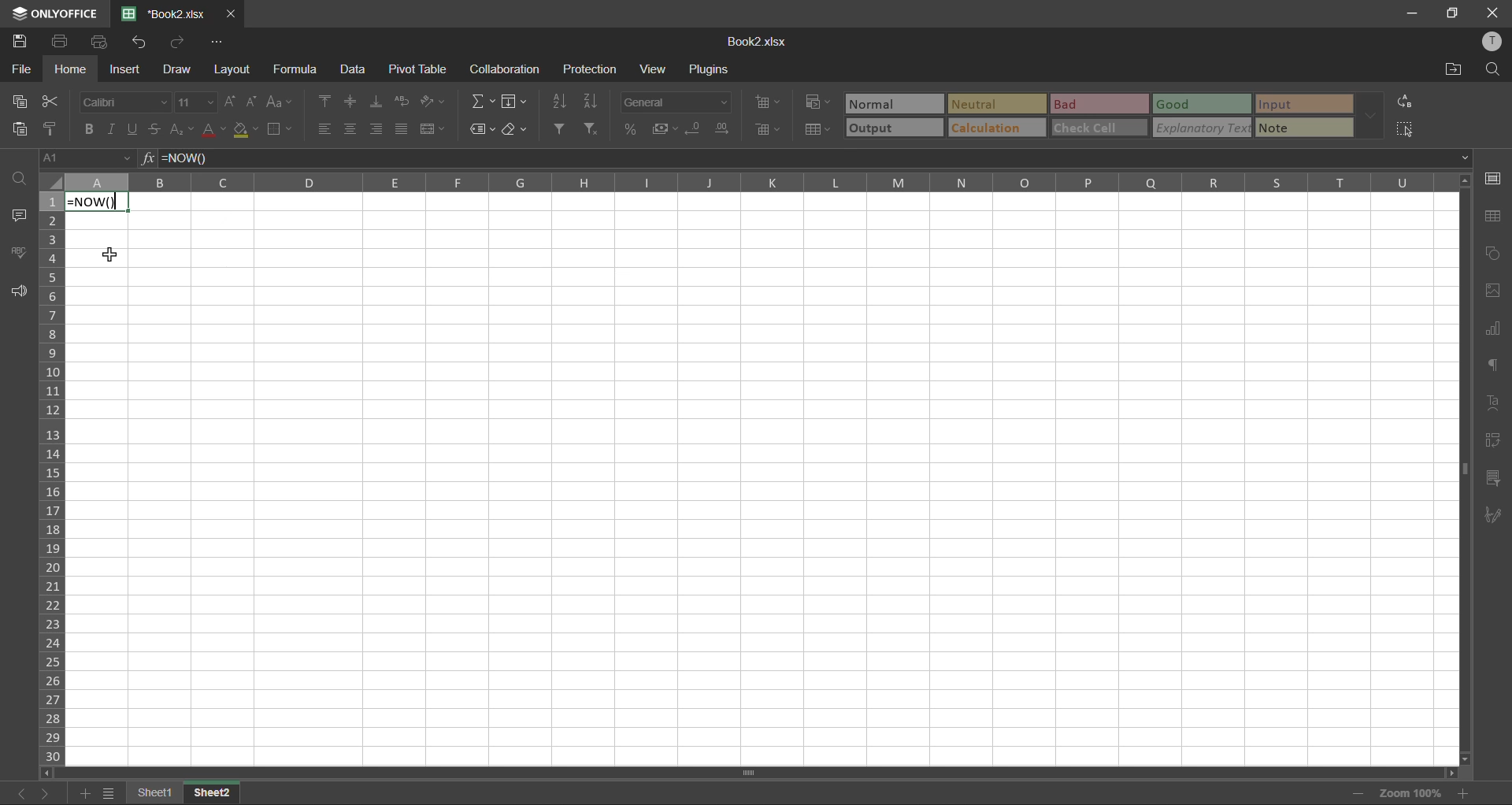 The height and width of the screenshot is (805, 1512). I want to click on previous, so click(17, 793).